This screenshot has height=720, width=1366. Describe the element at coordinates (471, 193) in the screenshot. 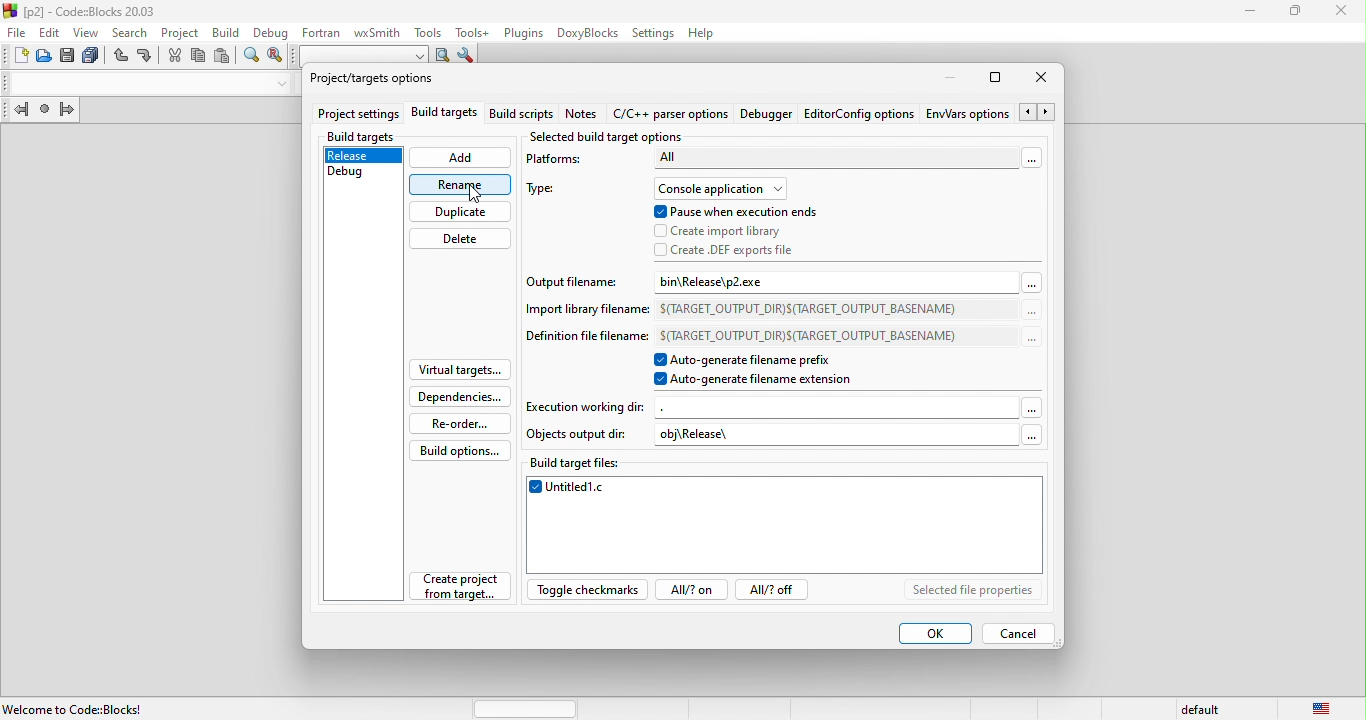

I see `cursor movement` at that location.